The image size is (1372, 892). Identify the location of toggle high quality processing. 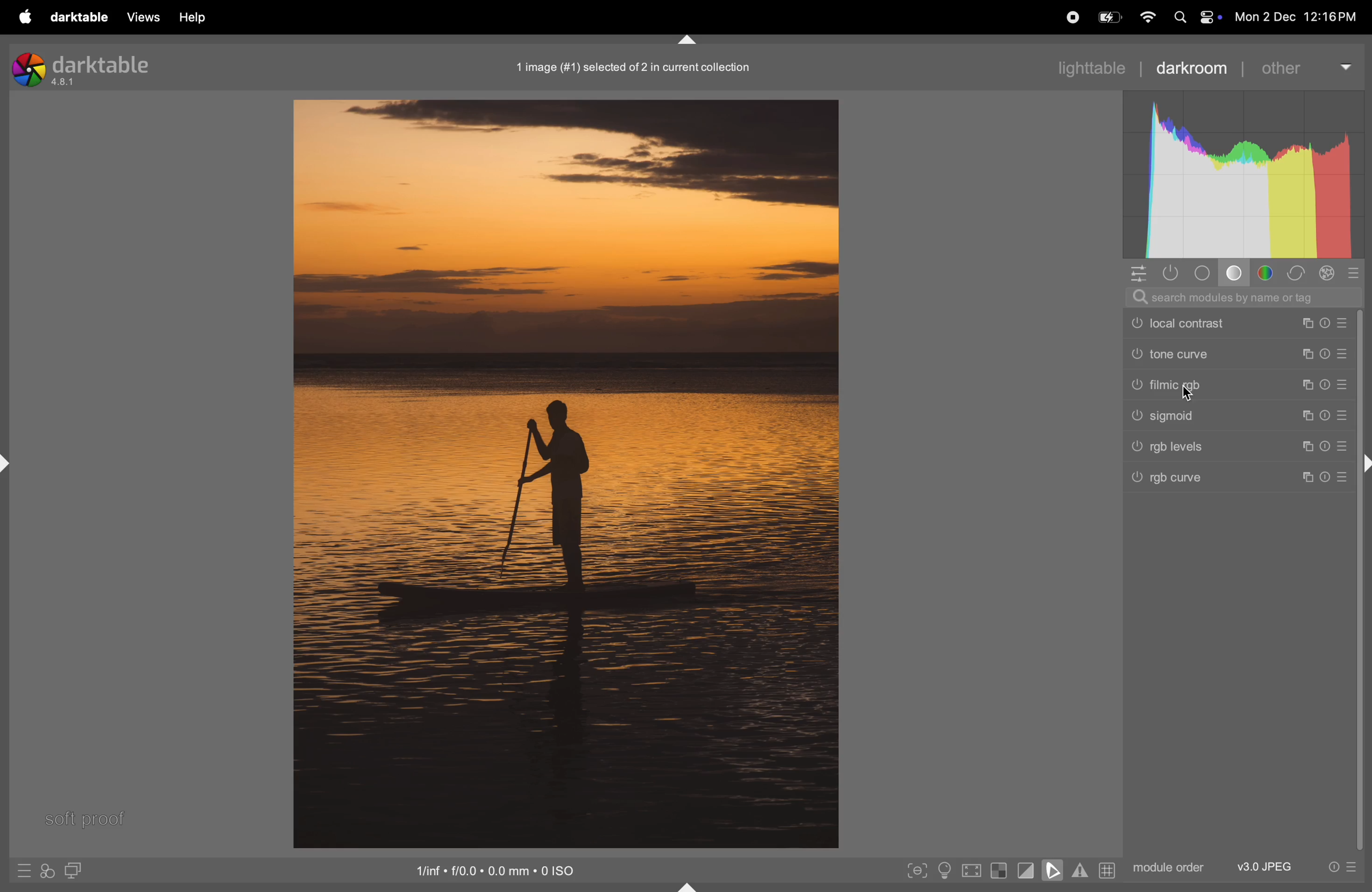
(973, 872).